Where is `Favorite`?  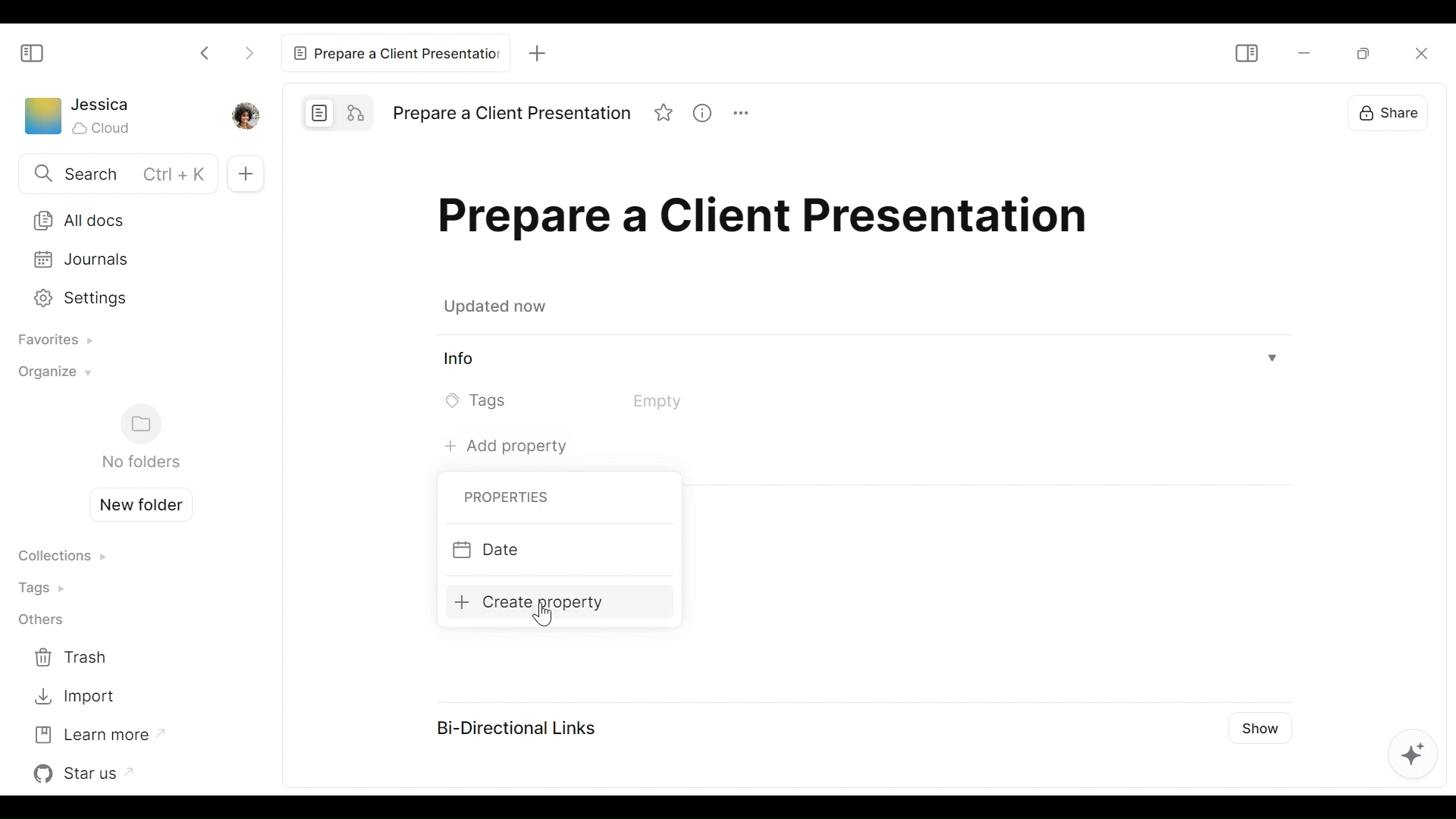 Favorite is located at coordinates (665, 115).